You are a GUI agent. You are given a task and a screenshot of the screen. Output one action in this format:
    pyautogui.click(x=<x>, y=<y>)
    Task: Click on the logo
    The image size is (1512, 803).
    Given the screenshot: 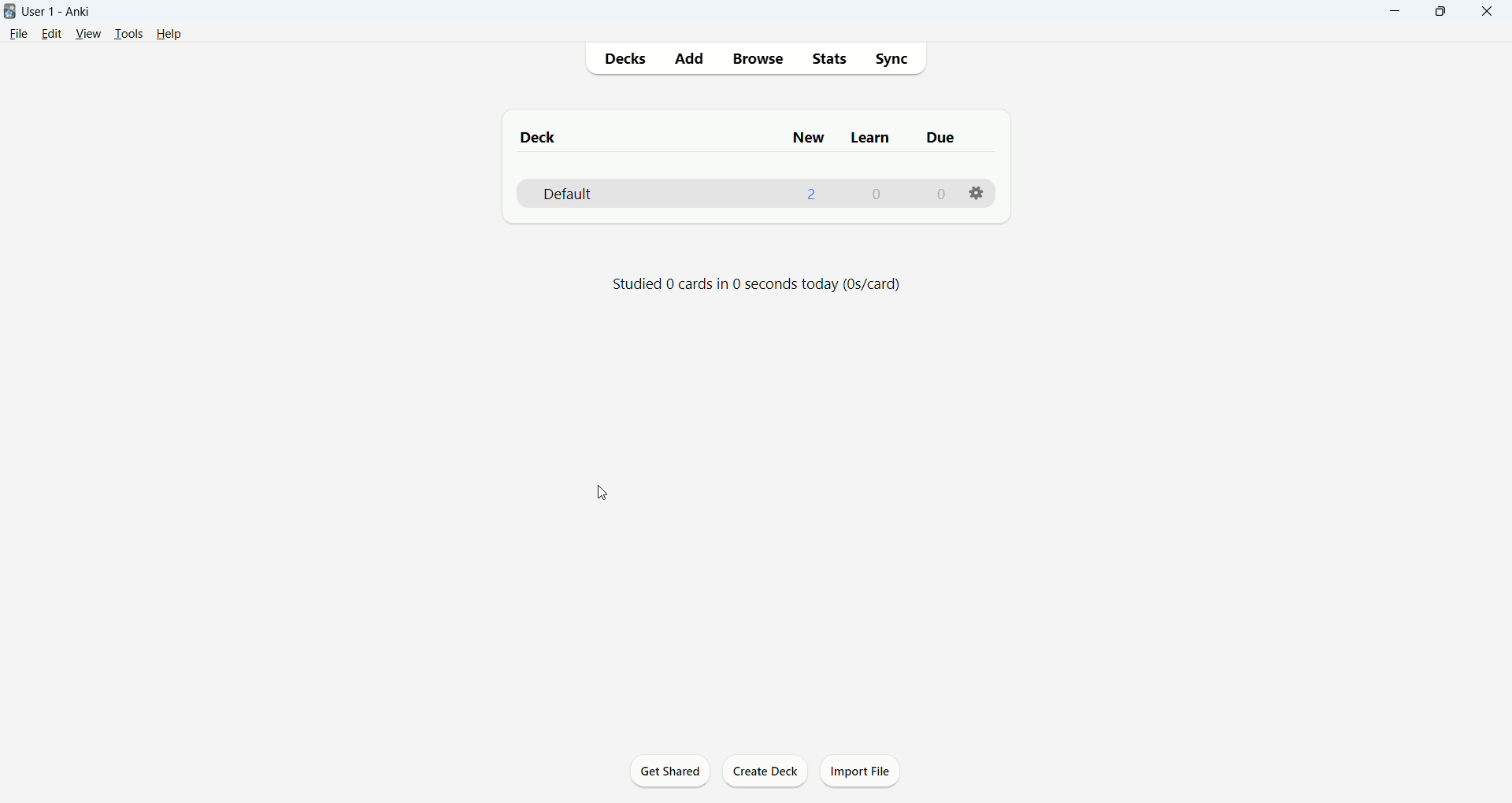 What is the action you would take?
    pyautogui.click(x=9, y=10)
    